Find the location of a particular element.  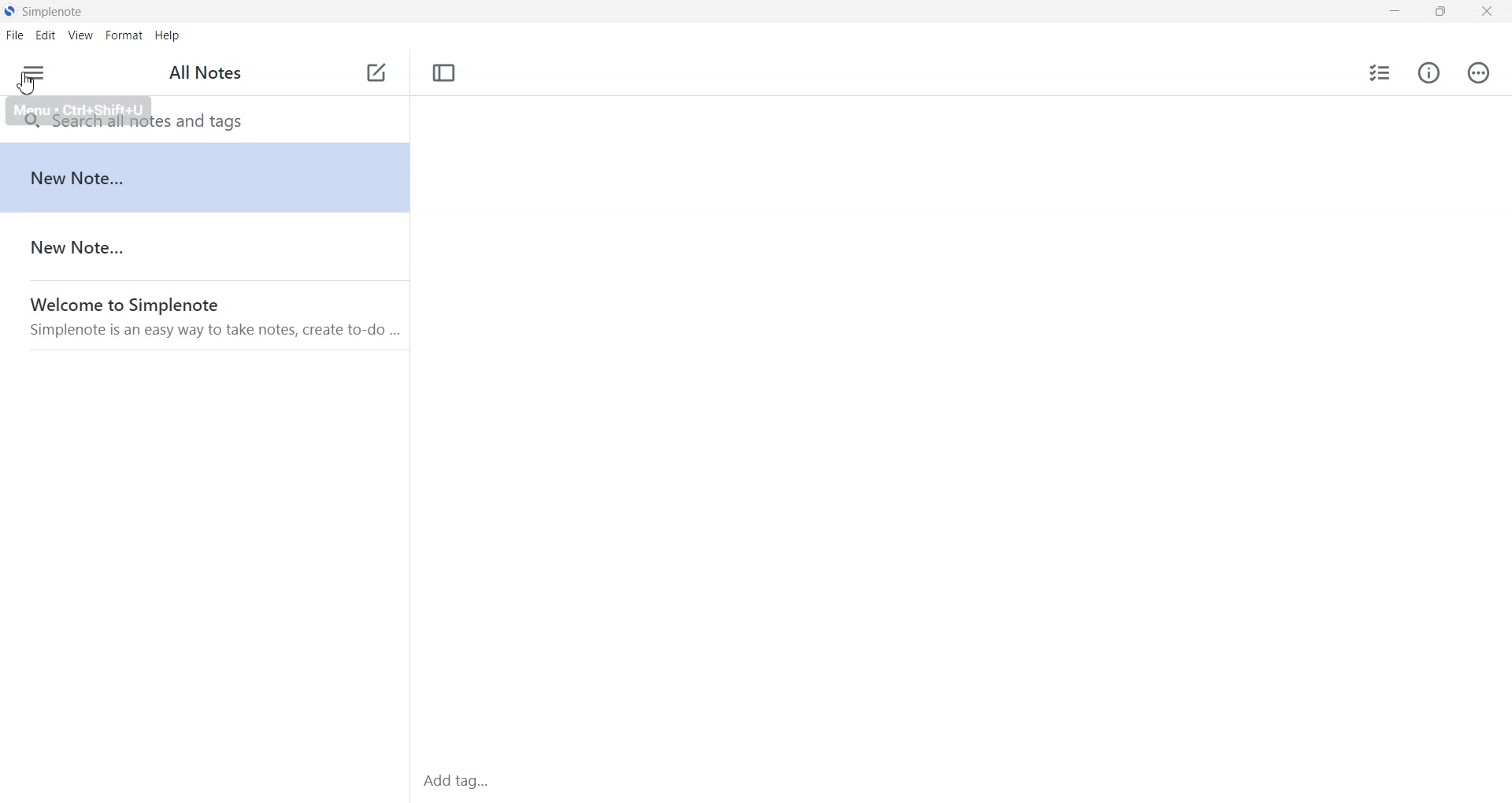

Search Bar is located at coordinates (203, 120).